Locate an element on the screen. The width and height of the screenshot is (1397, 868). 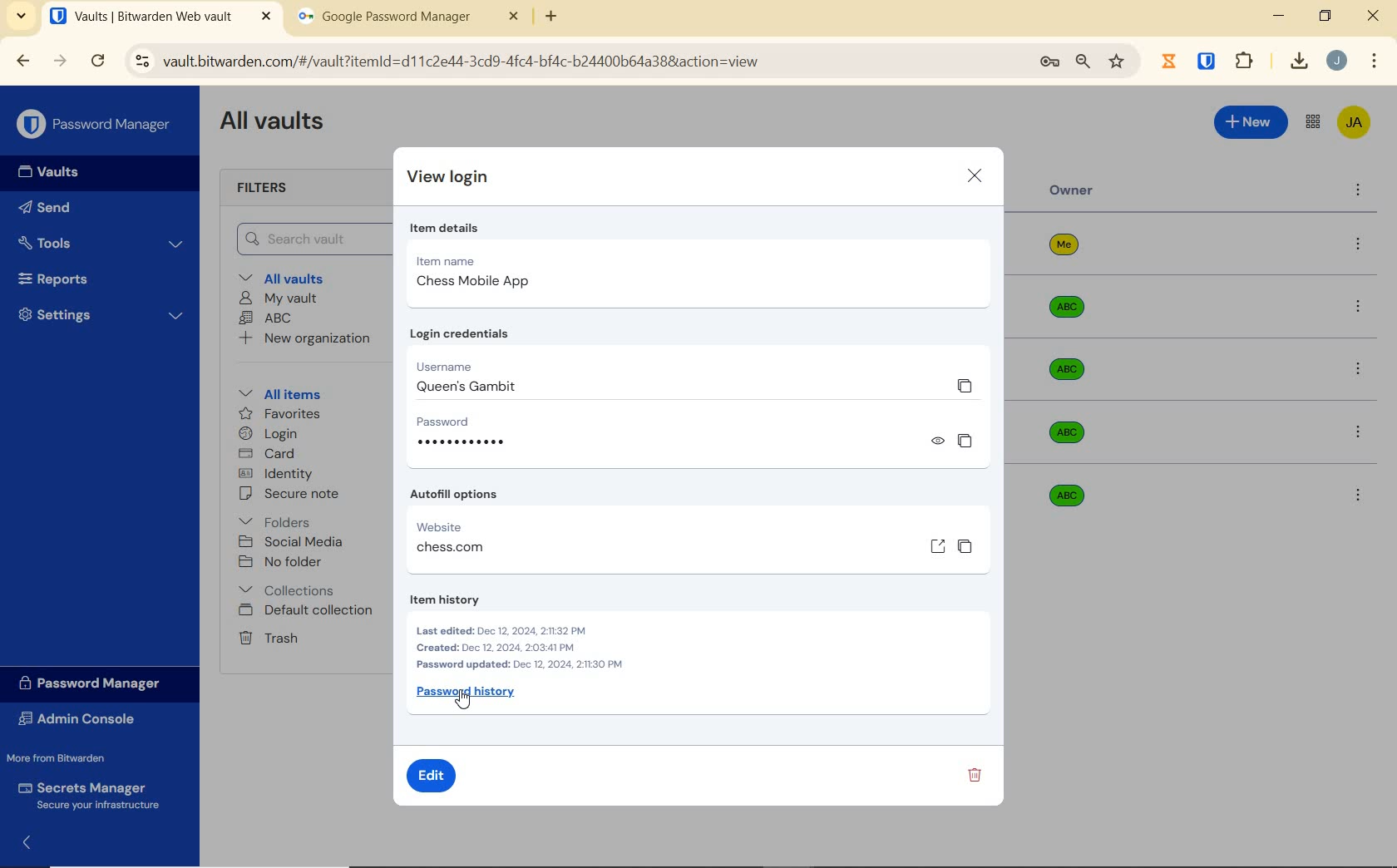
more options is located at coordinates (1355, 367).